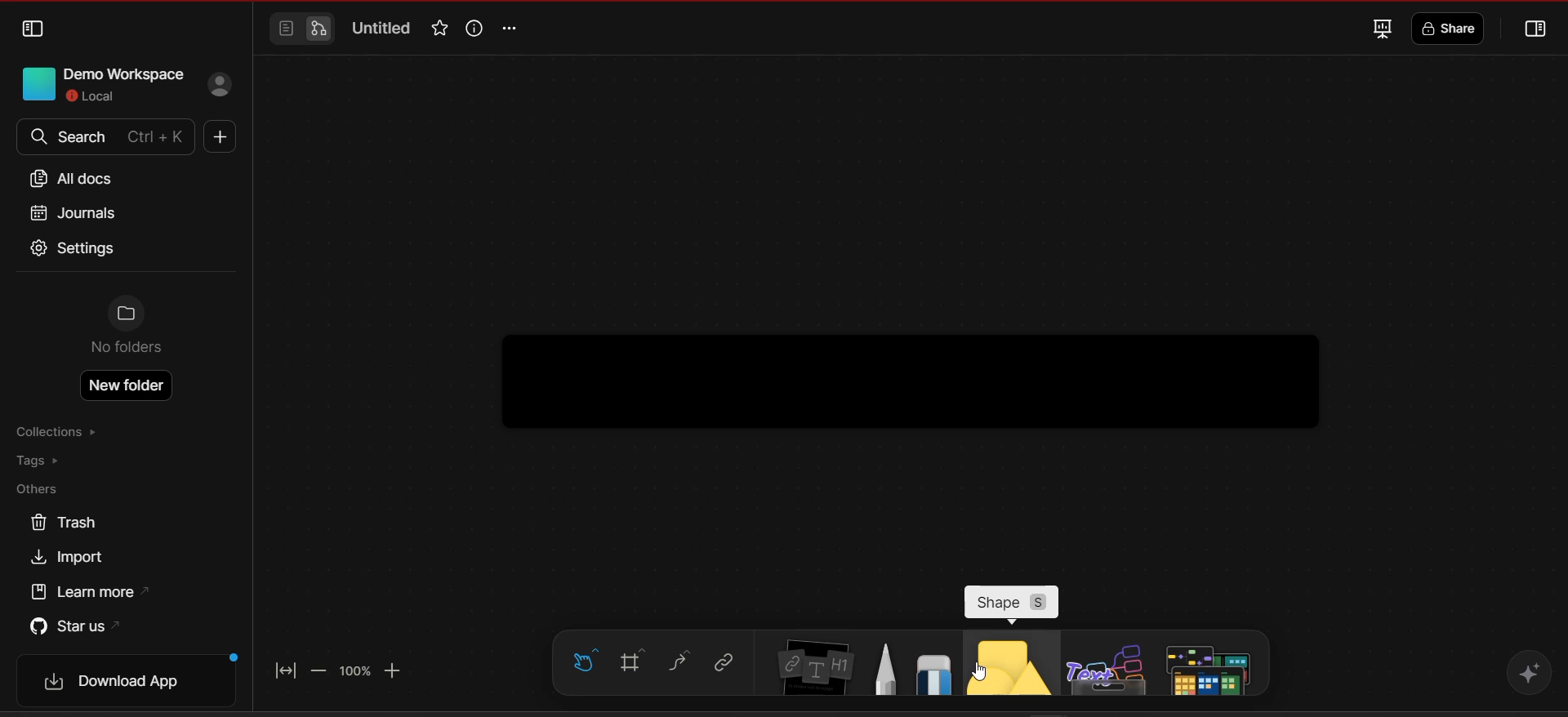 This screenshot has height=717, width=1568. I want to click on pen, so click(885, 667).